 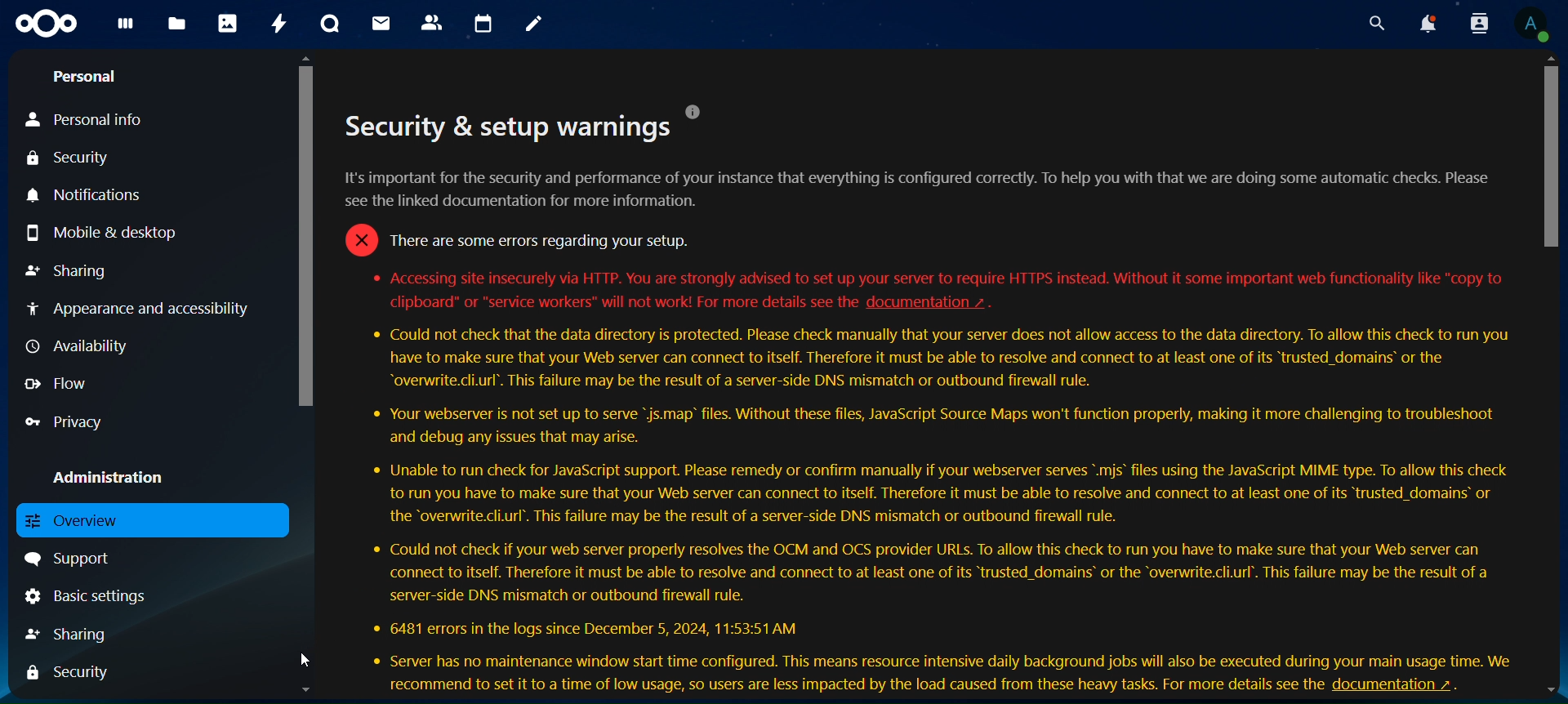 I want to click on privacy, so click(x=74, y=423).